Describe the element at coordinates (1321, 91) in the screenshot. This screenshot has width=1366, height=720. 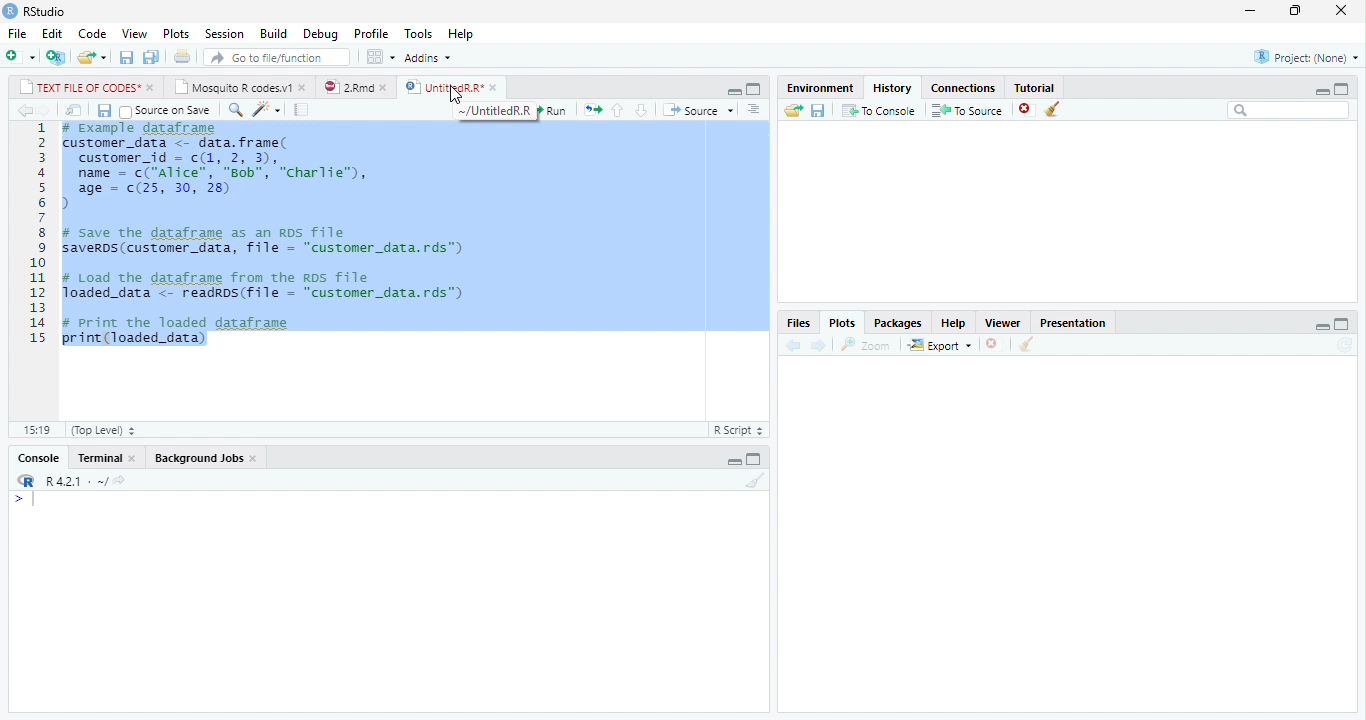
I see `minimize` at that location.